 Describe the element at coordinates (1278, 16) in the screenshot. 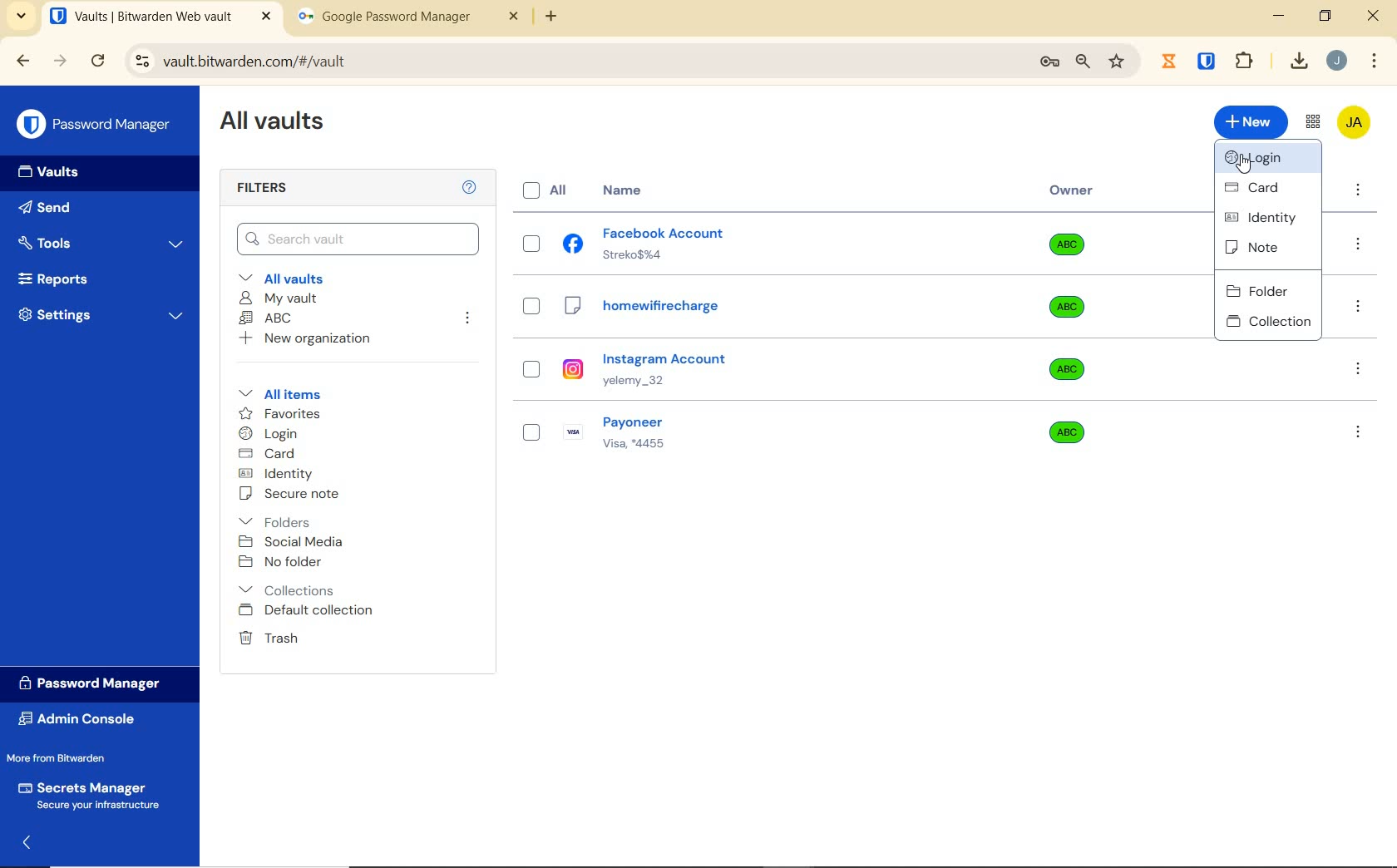

I see `minimize` at that location.